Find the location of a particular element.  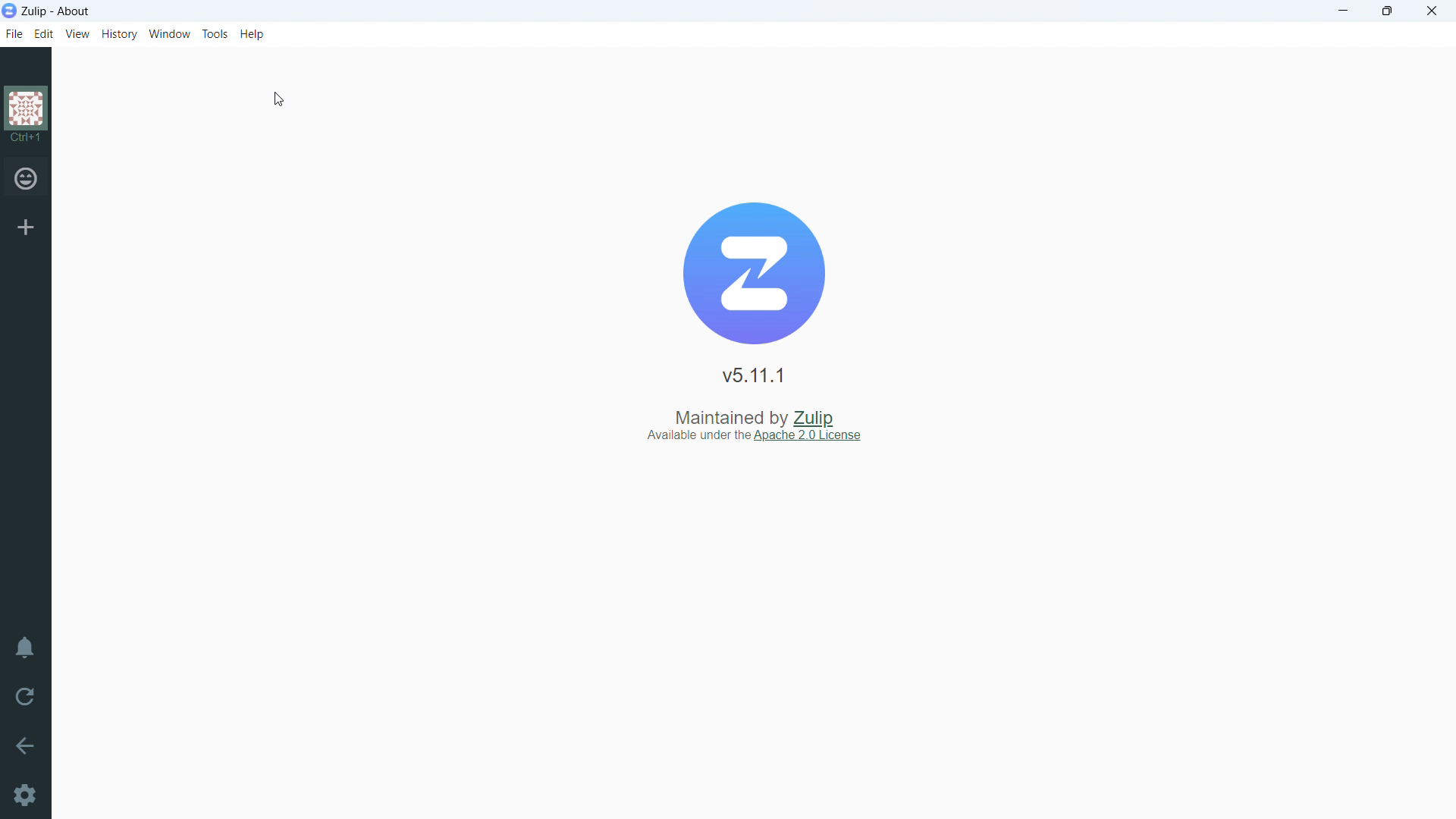

minimize is located at coordinates (1341, 12).